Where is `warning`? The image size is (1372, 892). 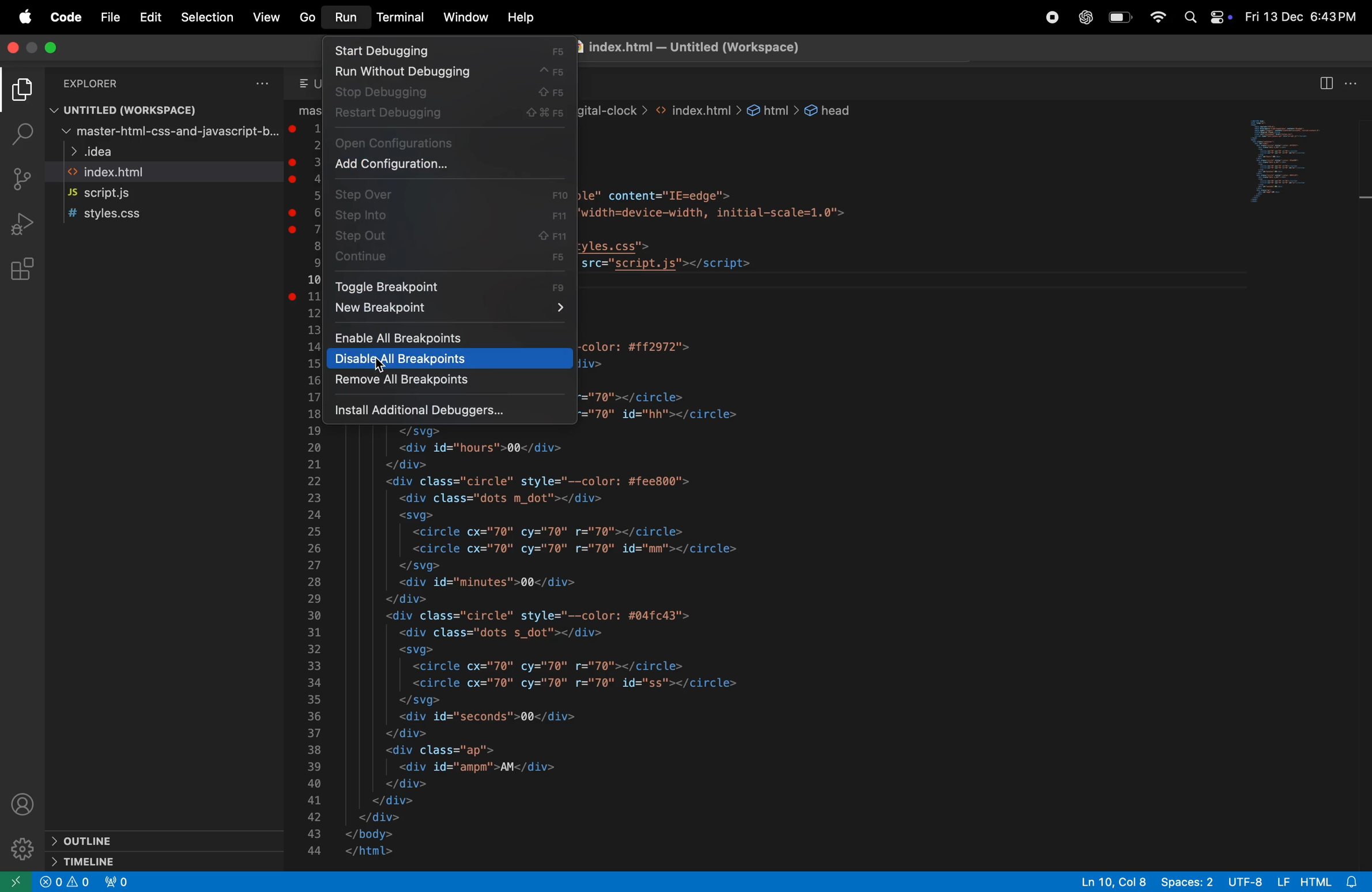 warning is located at coordinates (65, 884).